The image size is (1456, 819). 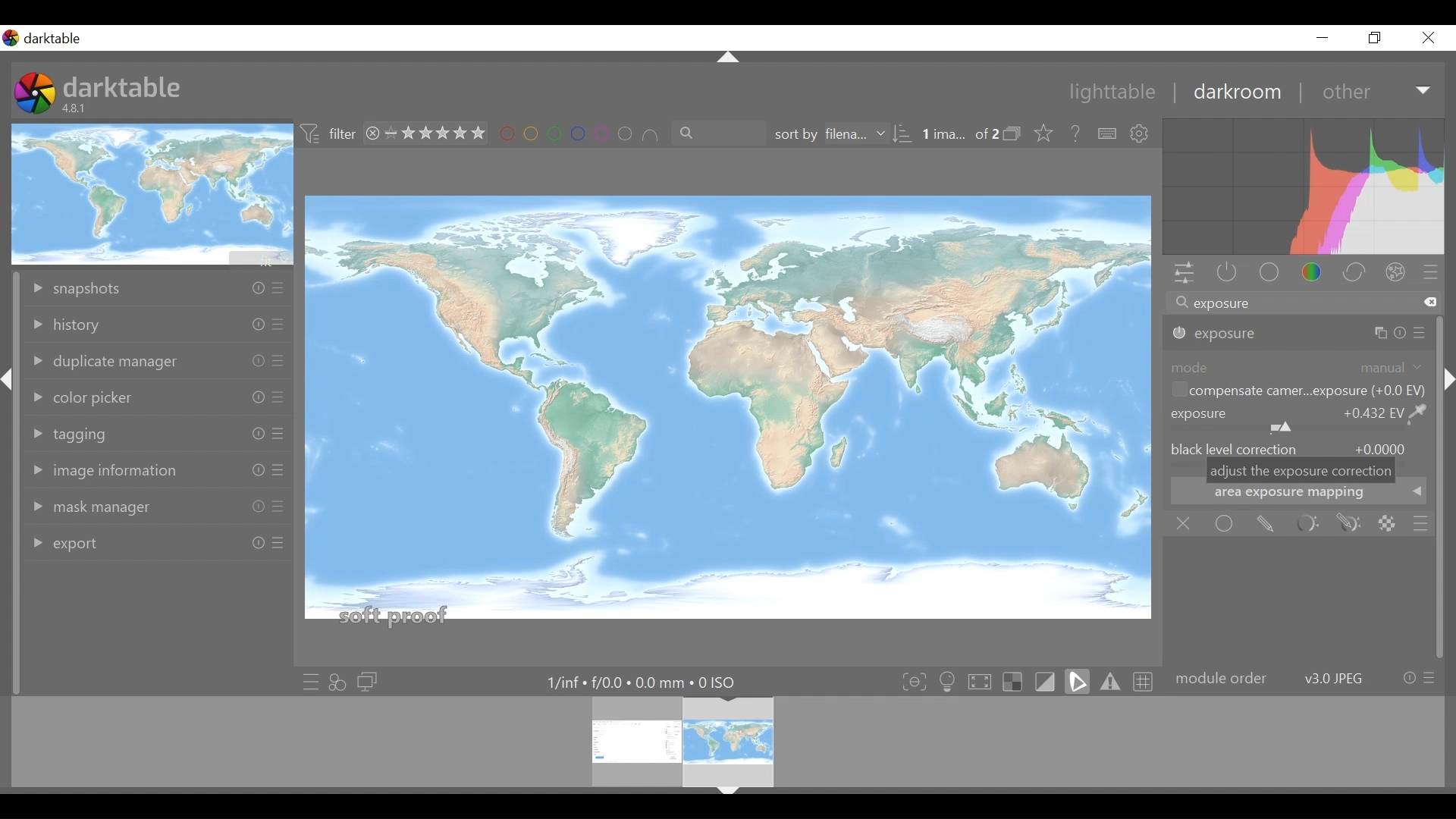 I want to click on , so click(x=253, y=435).